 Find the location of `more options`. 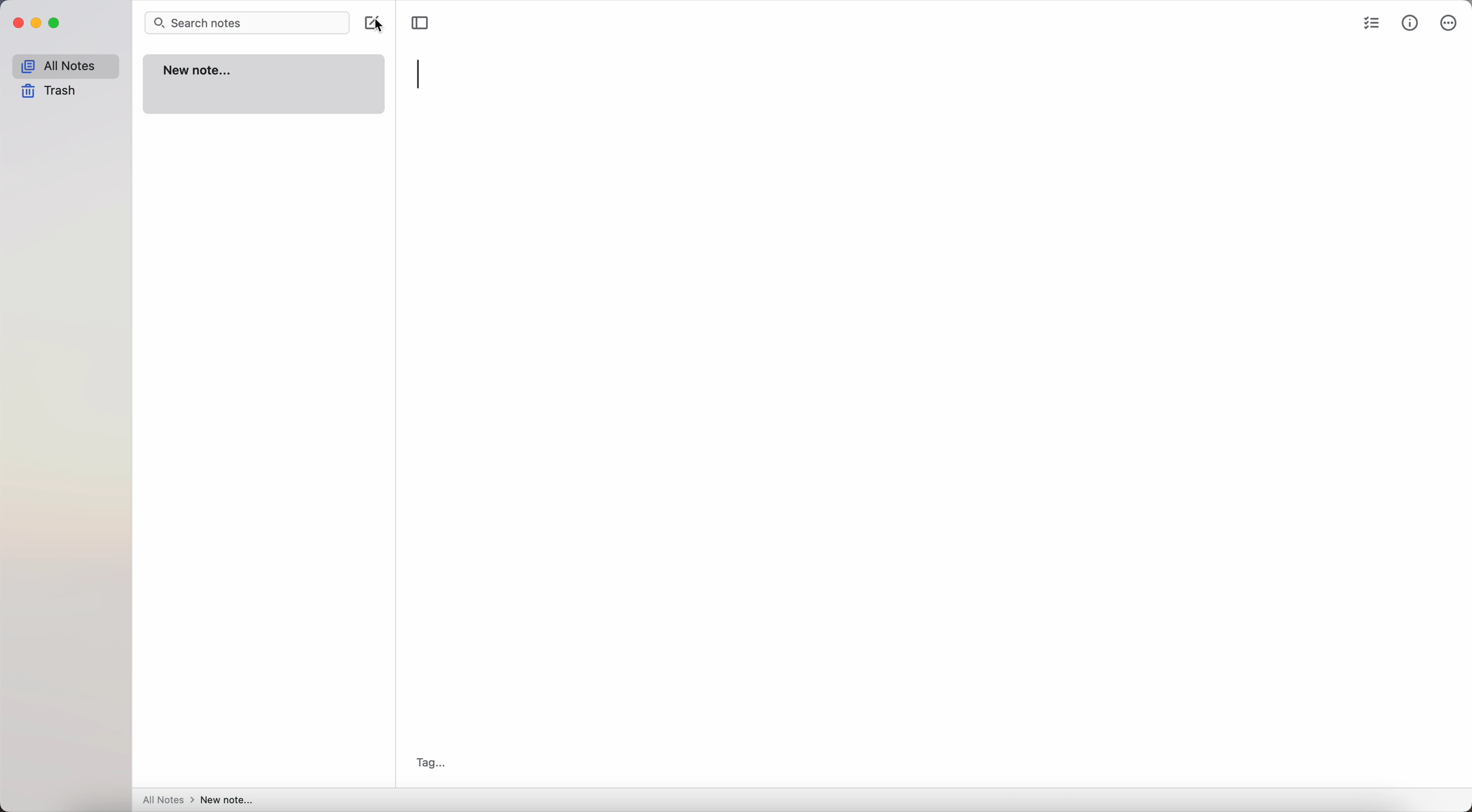

more options is located at coordinates (1448, 22).